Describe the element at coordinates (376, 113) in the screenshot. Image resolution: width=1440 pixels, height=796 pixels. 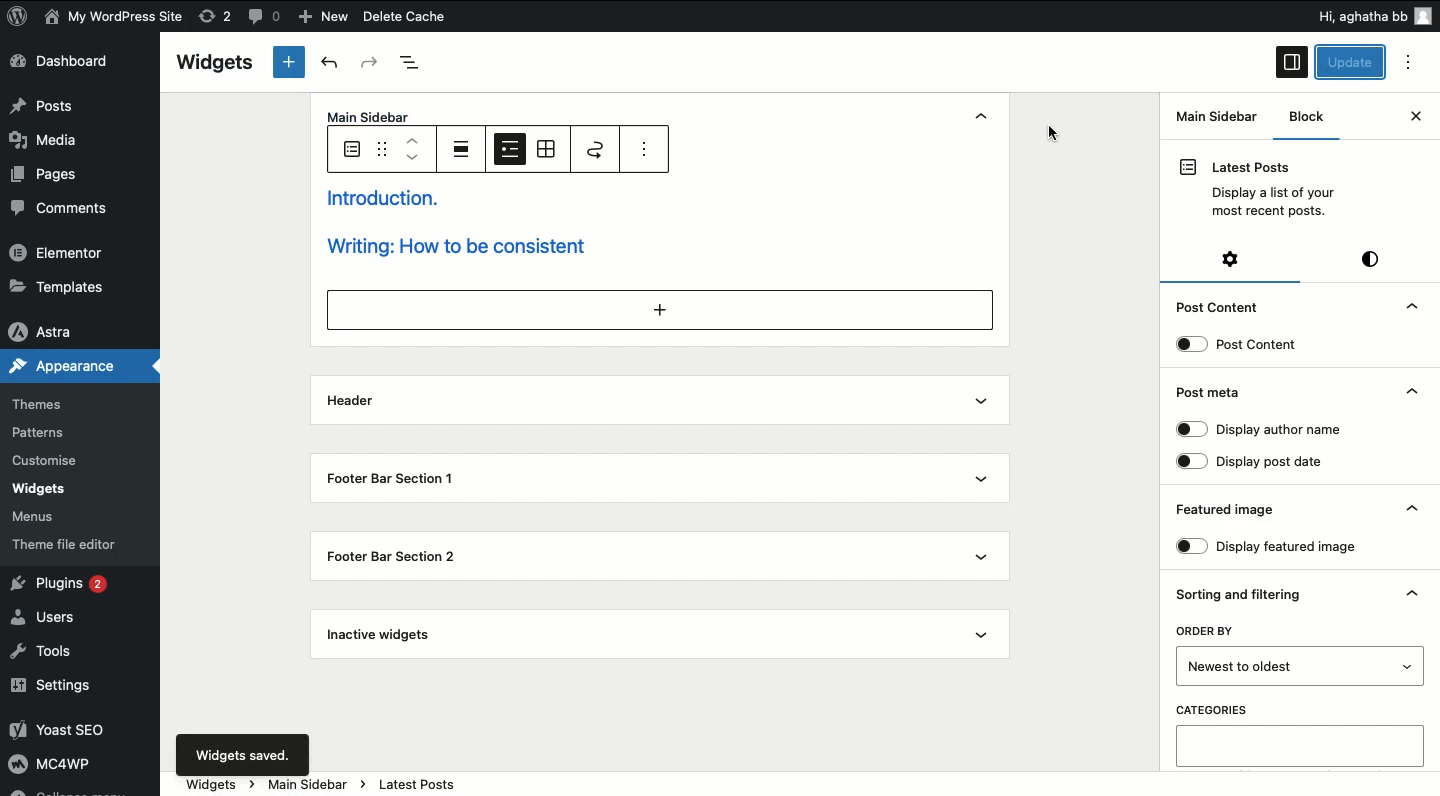
I see `Main Sidebar` at that location.